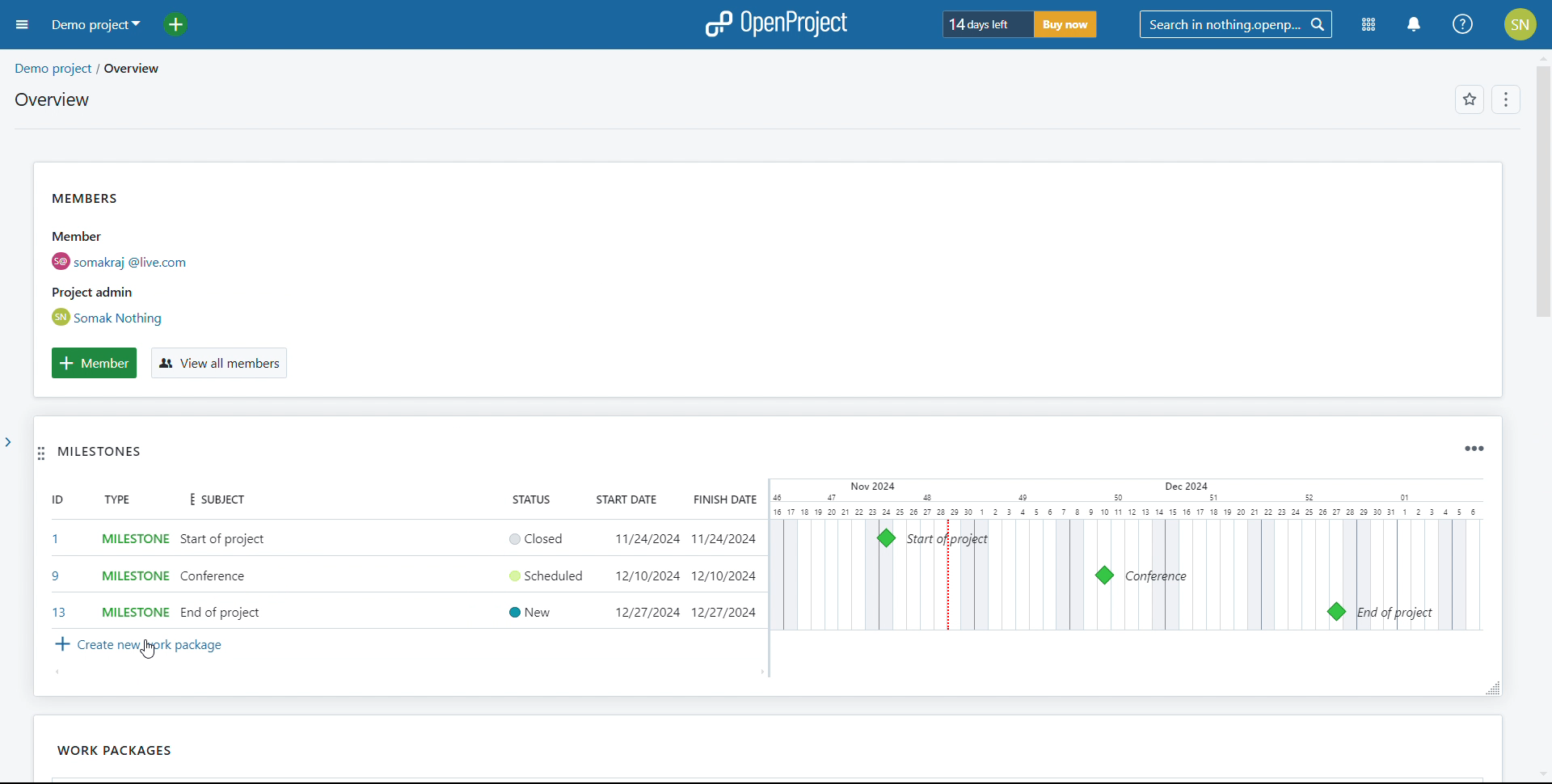 The width and height of the screenshot is (1552, 784). I want to click on set status, so click(545, 574).